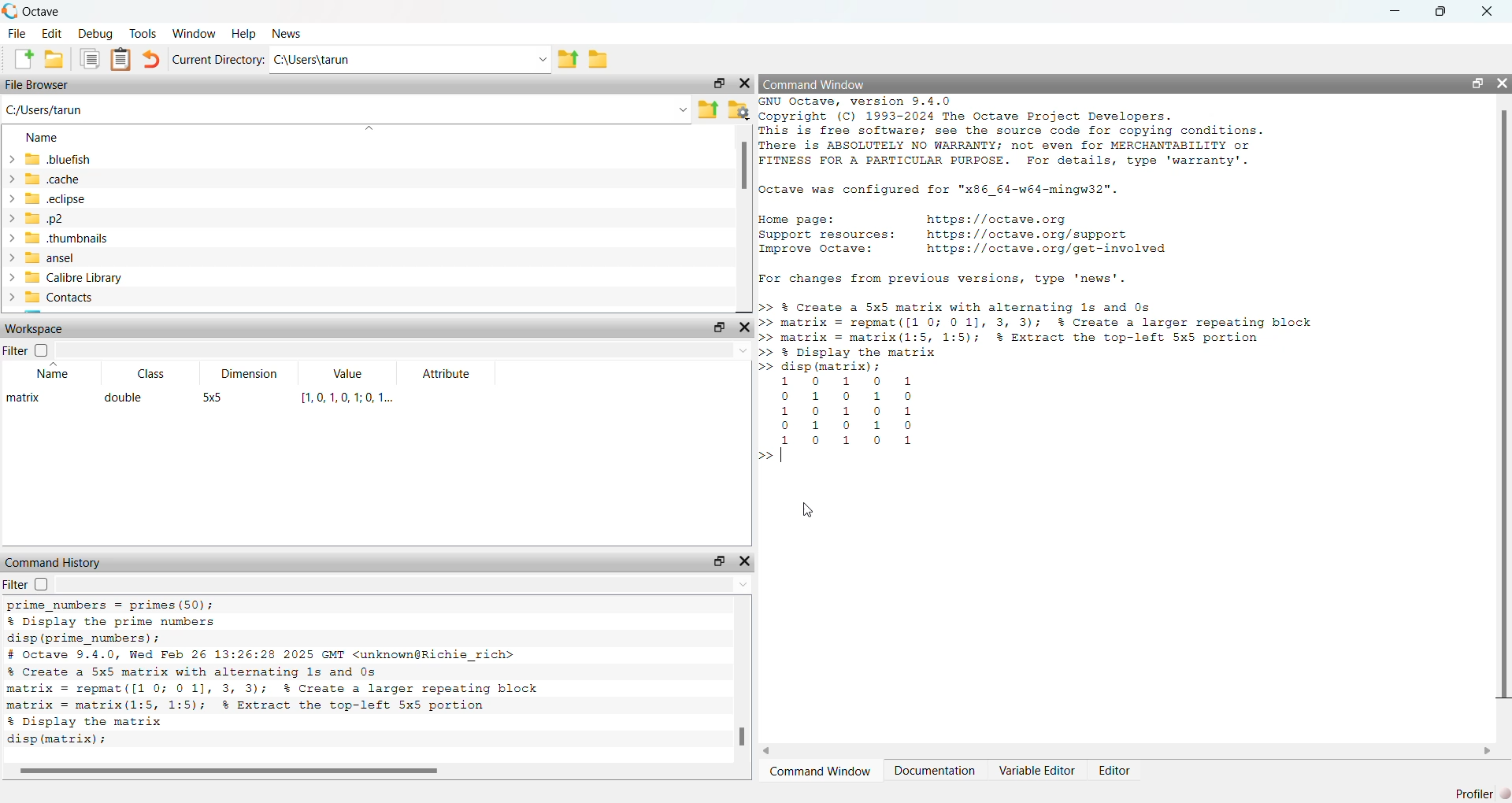 This screenshot has width=1512, height=803. Describe the element at coordinates (742, 736) in the screenshot. I see `scroll bar` at that location.